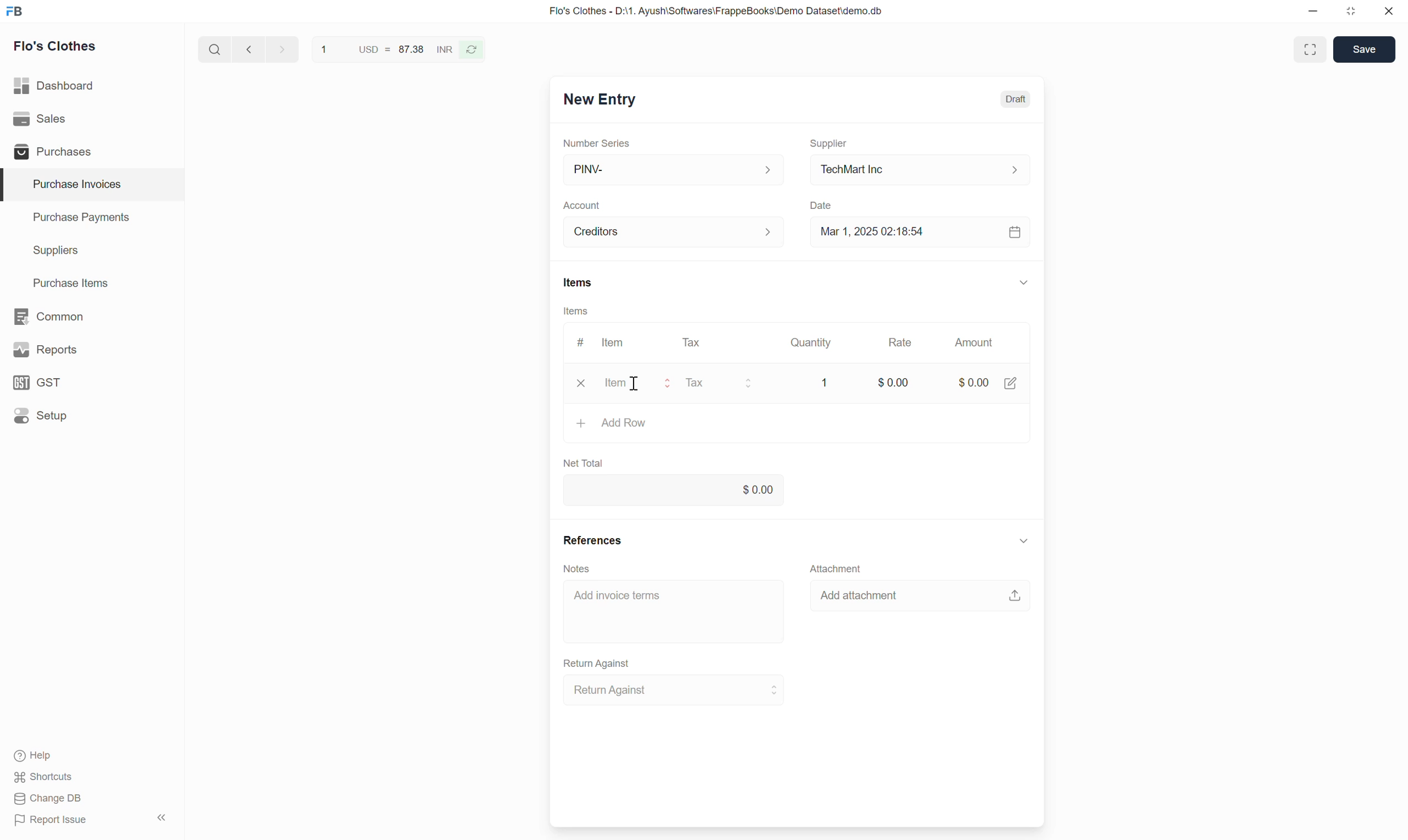 This screenshot has width=1408, height=840. Describe the element at coordinates (52, 820) in the screenshot. I see `Report Issue` at that location.